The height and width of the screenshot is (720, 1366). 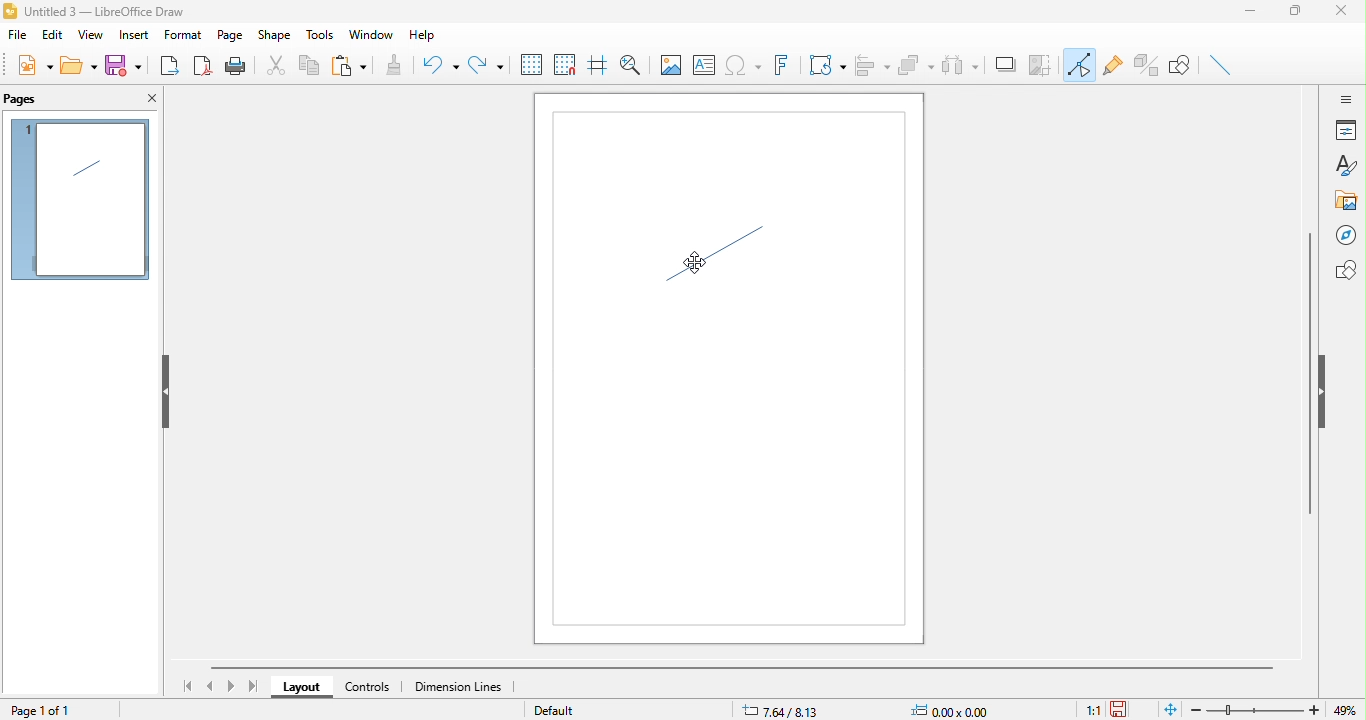 What do you see at coordinates (21, 38) in the screenshot?
I see `file` at bounding box center [21, 38].